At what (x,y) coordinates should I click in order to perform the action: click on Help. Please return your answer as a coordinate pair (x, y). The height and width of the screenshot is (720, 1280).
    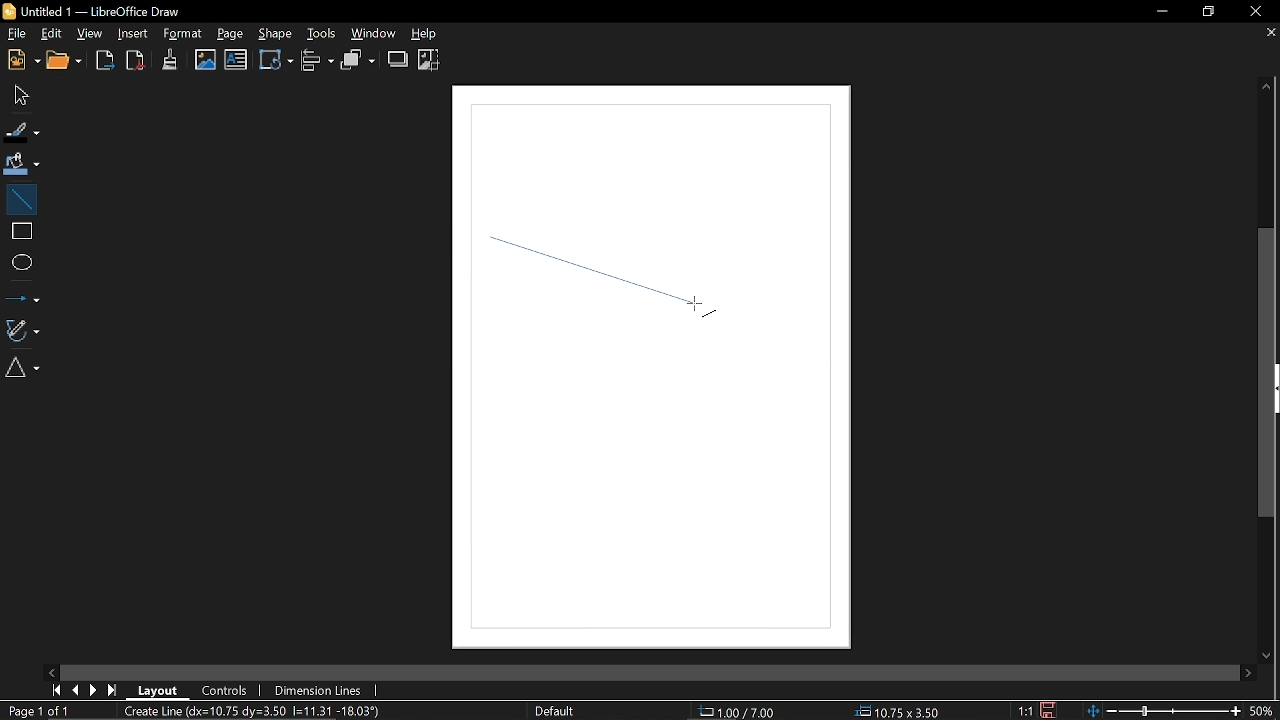
    Looking at the image, I should click on (431, 35).